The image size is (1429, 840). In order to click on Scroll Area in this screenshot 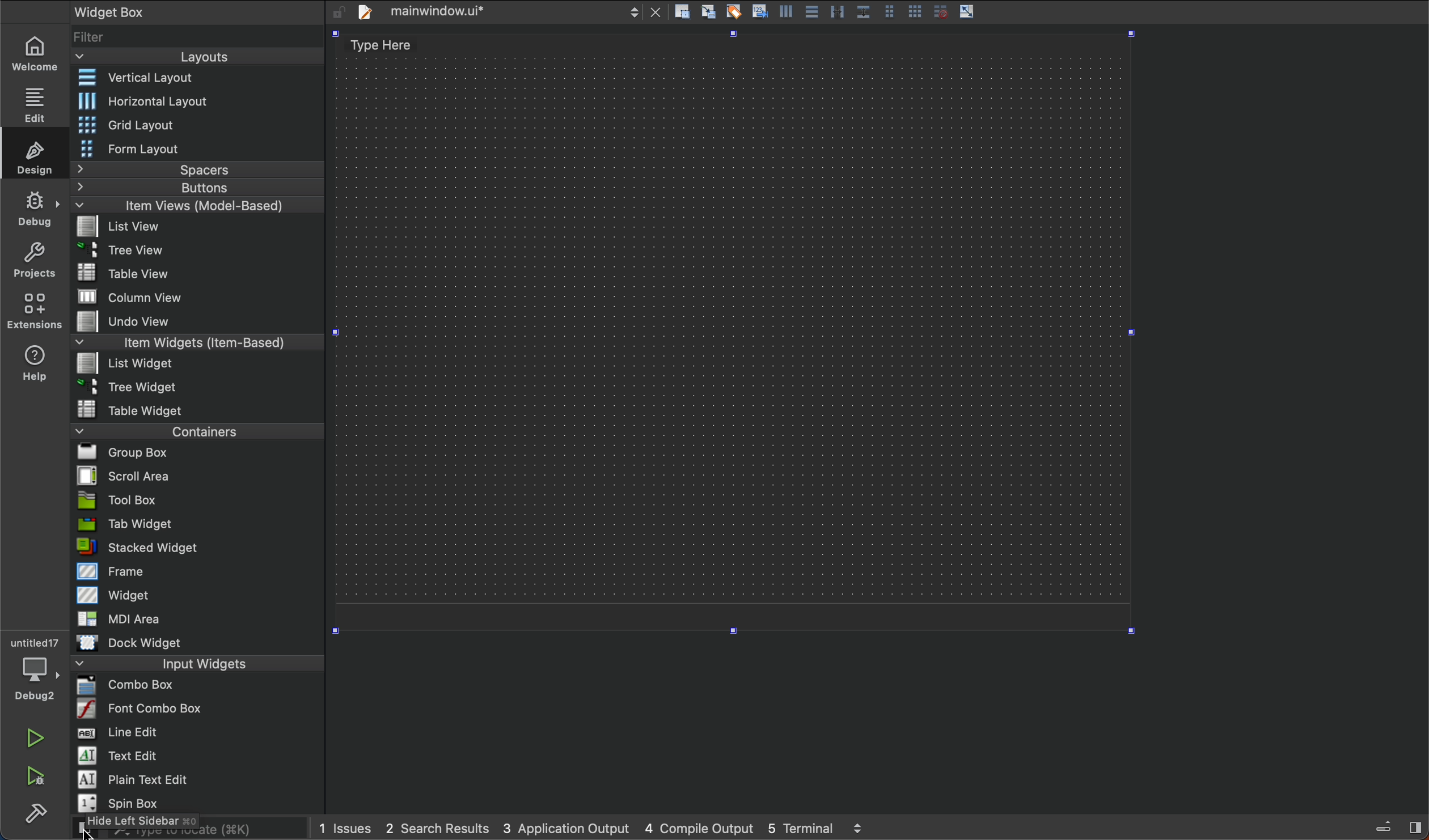, I will do `click(129, 476)`.